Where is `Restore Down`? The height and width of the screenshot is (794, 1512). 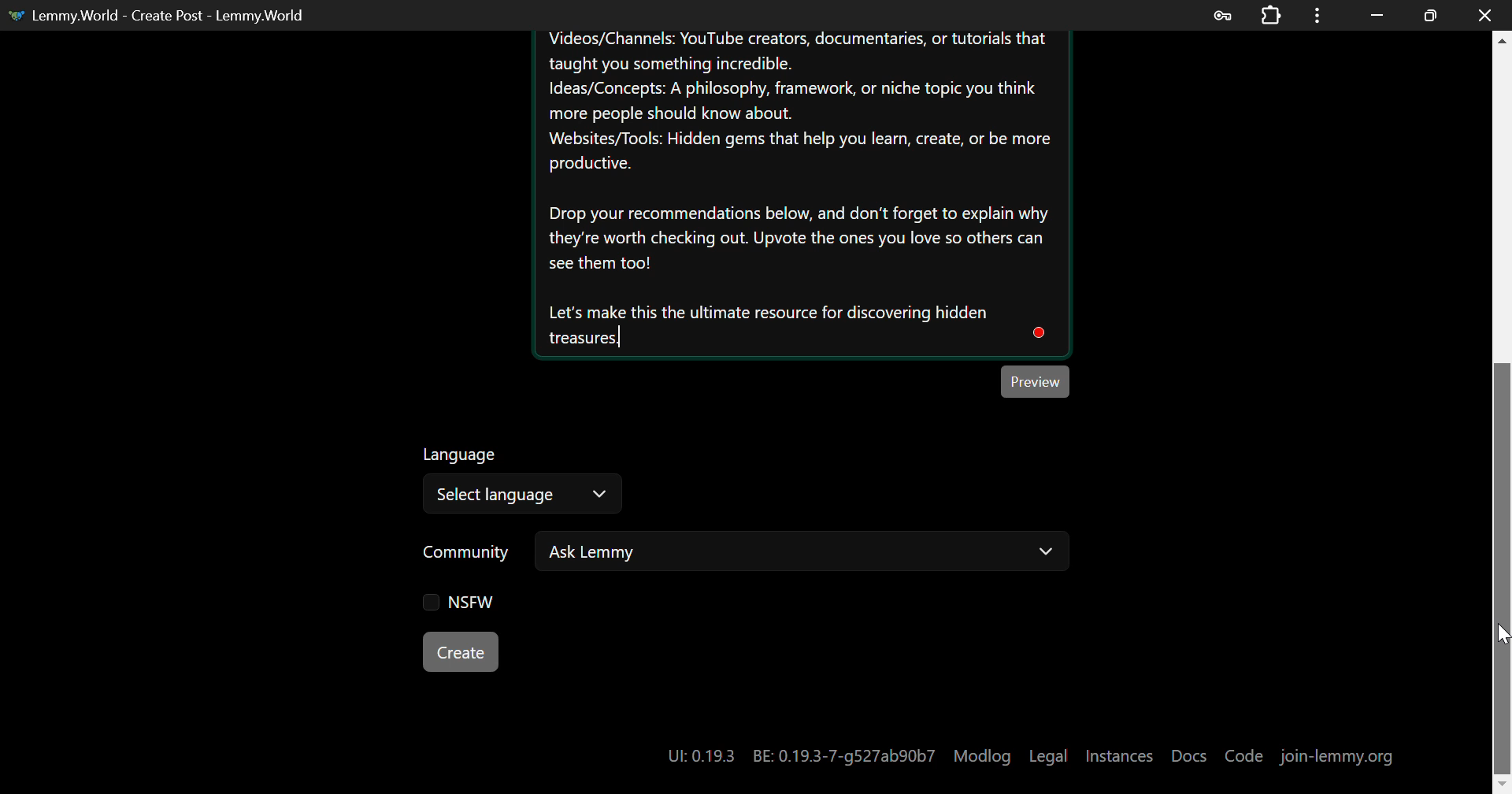
Restore Down is located at coordinates (1378, 15).